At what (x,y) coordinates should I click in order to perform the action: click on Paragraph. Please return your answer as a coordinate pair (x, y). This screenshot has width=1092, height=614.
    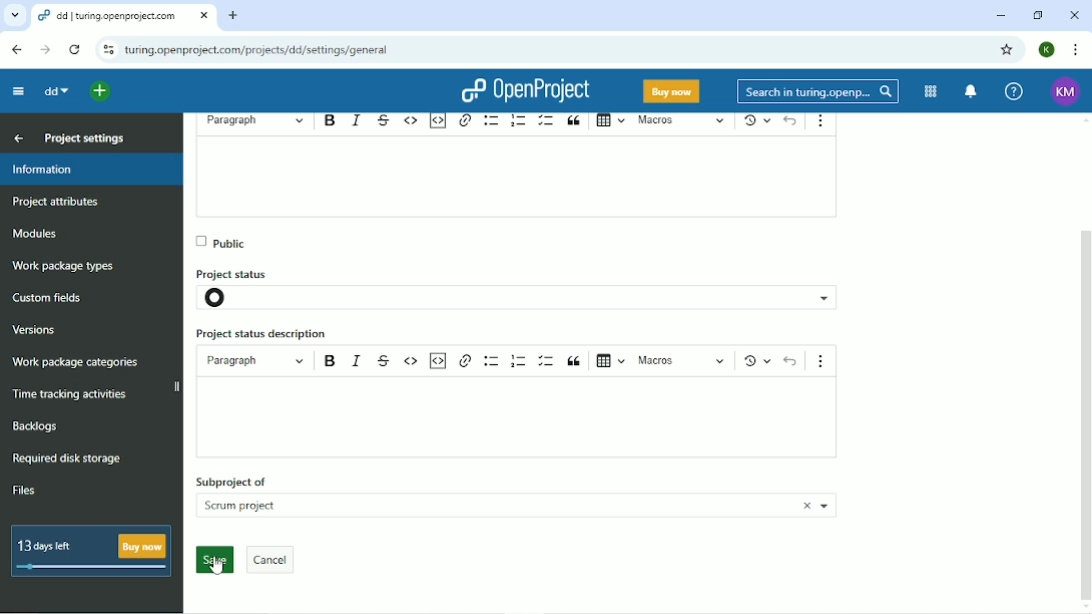
    Looking at the image, I should click on (248, 120).